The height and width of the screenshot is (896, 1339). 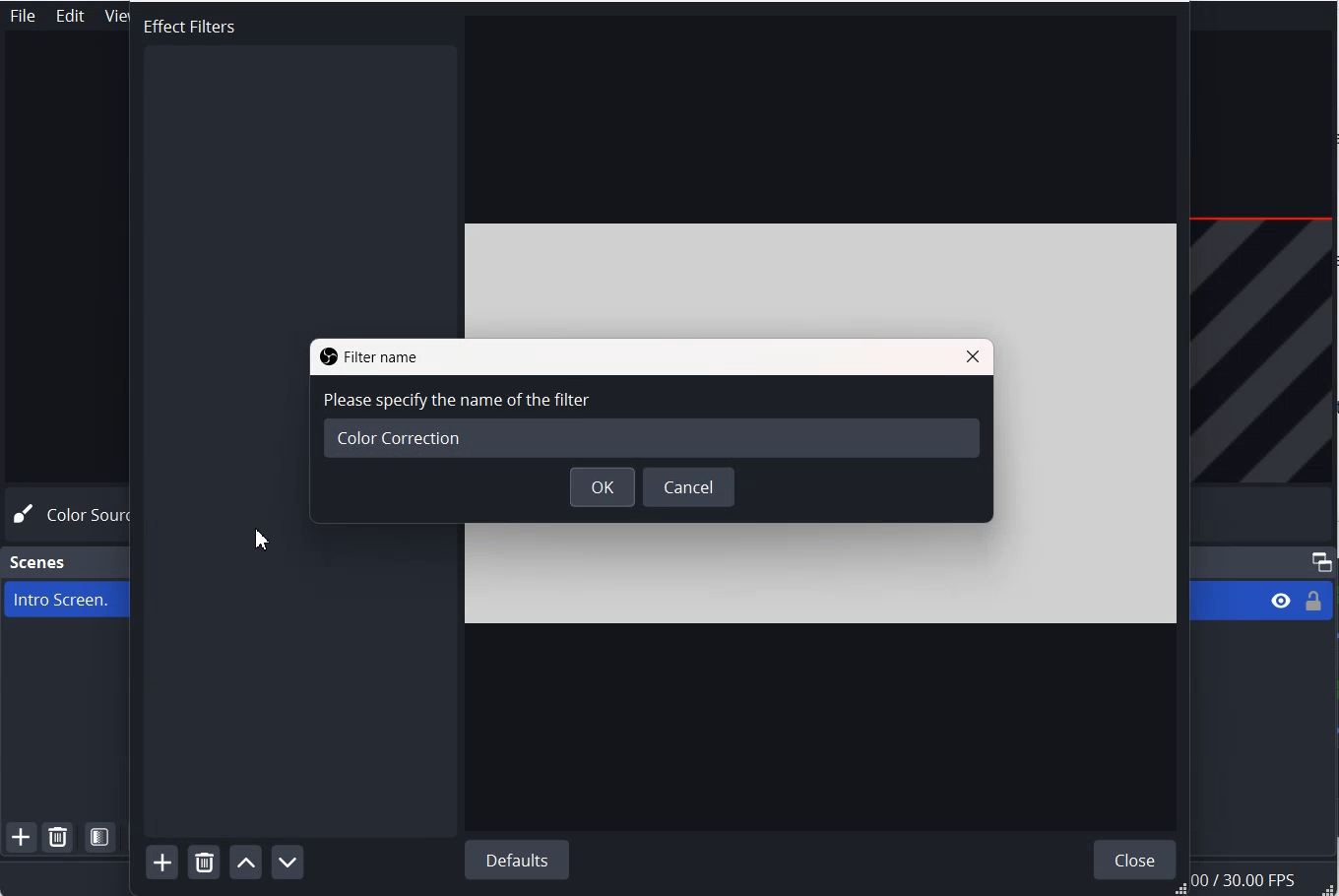 I want to click on Open Scene Filter, so click(x=101, y=837).